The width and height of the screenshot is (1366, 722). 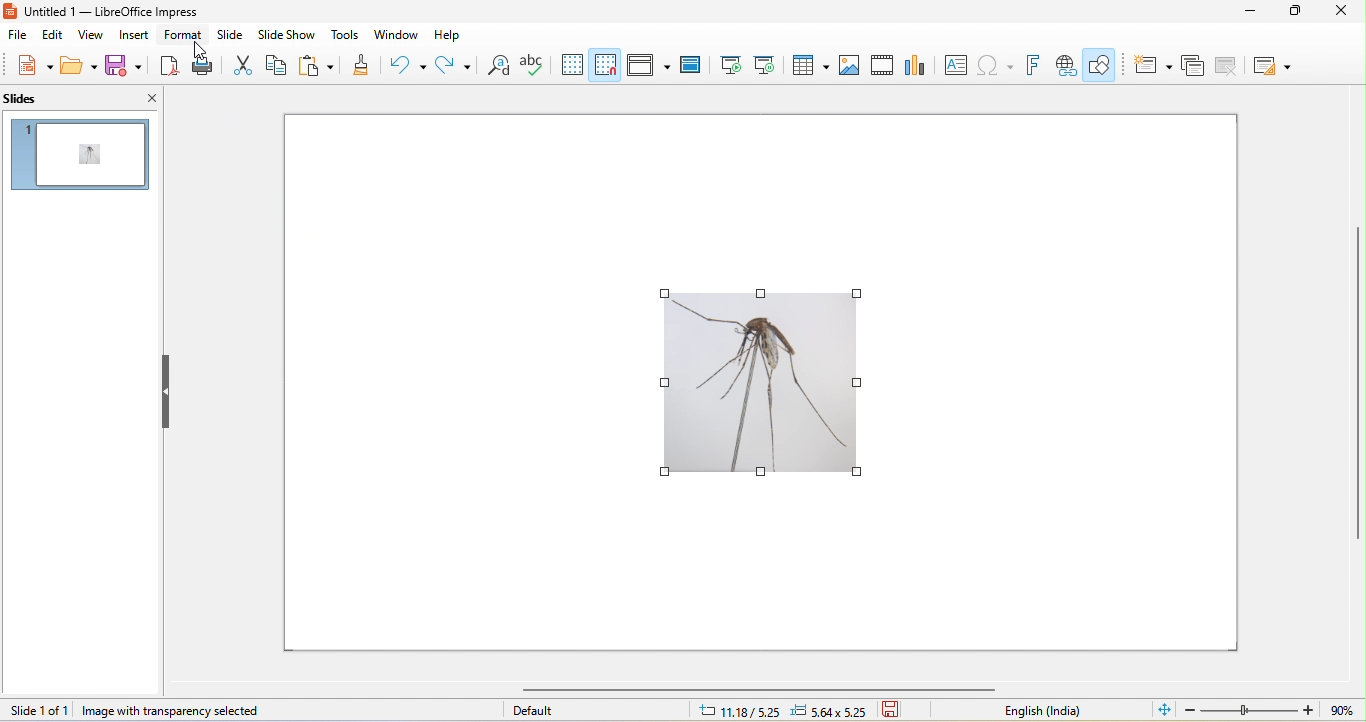 What do you see at coordinates (532, 64) in the screenshot?
I see `spelling` at bounding box center [532, 64].